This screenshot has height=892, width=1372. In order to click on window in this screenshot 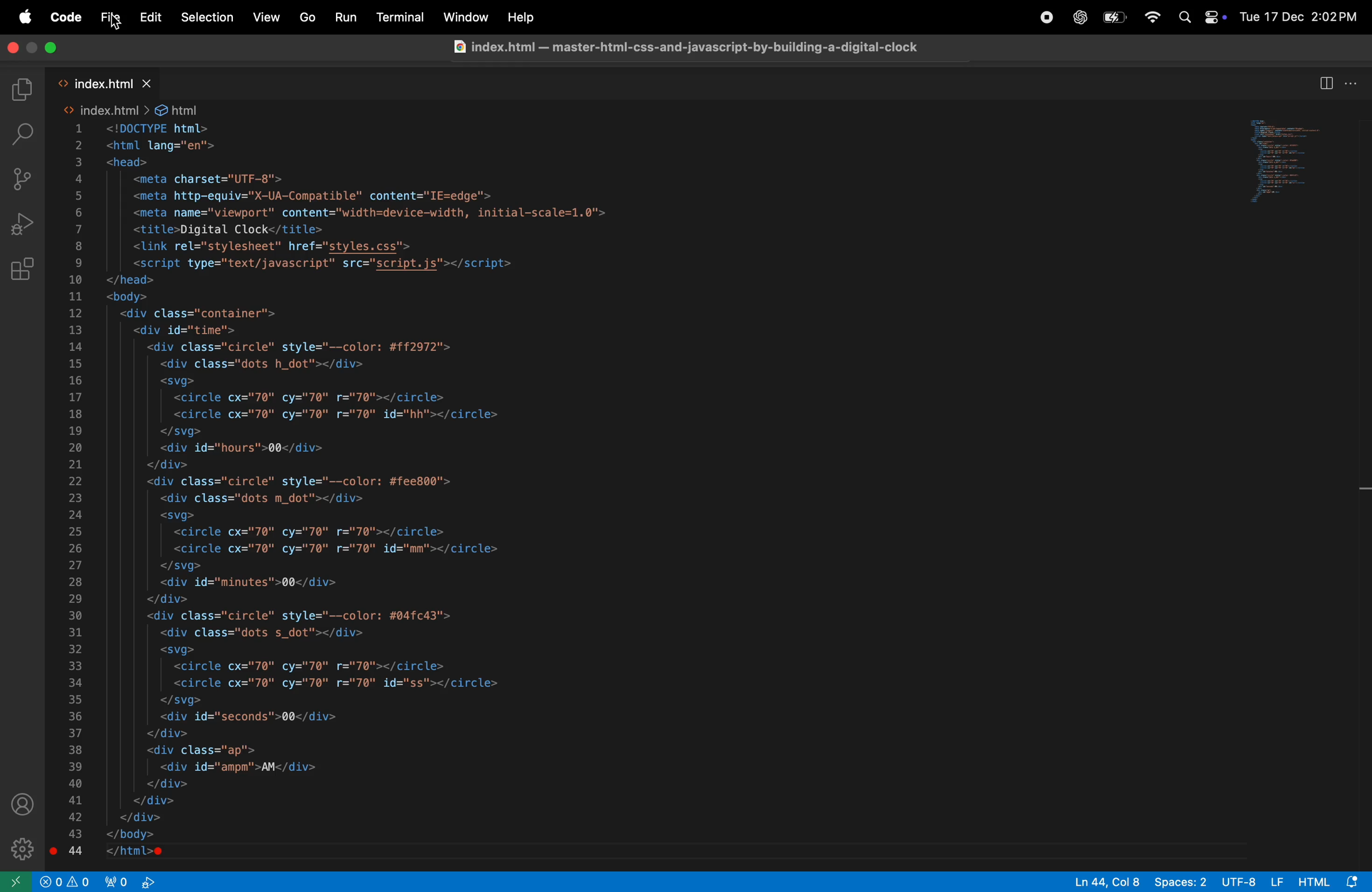, I will do `click(463, 17)`.